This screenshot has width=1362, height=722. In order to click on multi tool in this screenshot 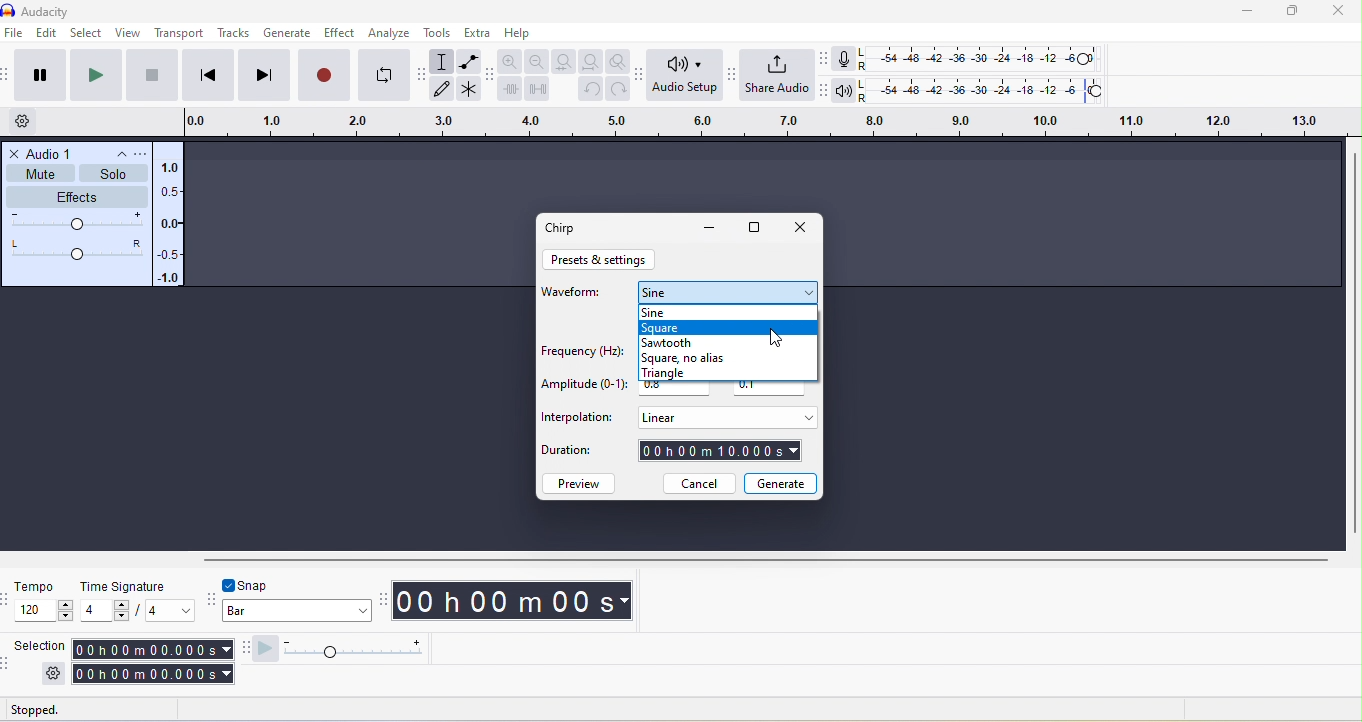, I will do `click(470, 89)`.